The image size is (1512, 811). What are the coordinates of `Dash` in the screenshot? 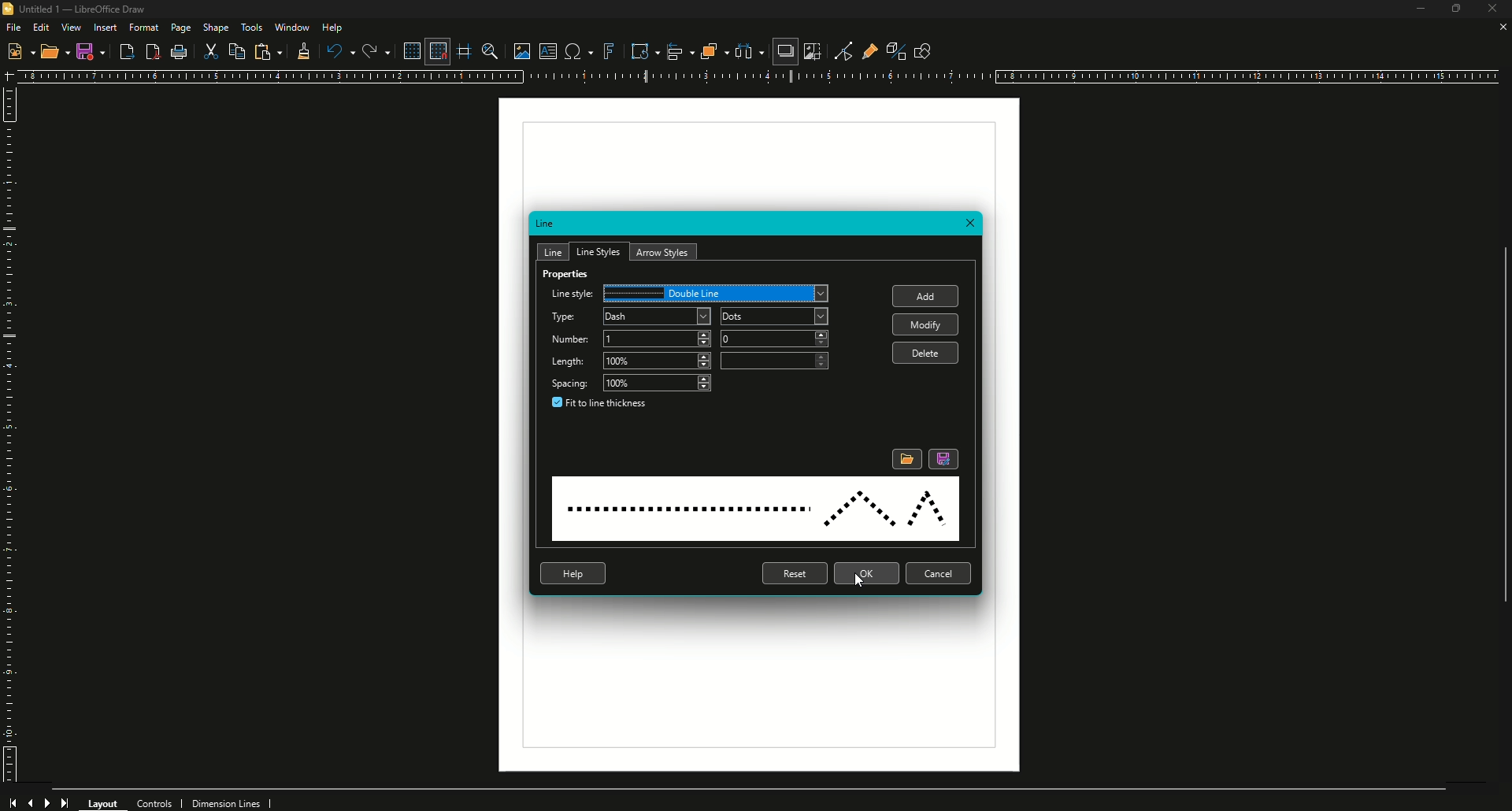 It's located at (772, 315).